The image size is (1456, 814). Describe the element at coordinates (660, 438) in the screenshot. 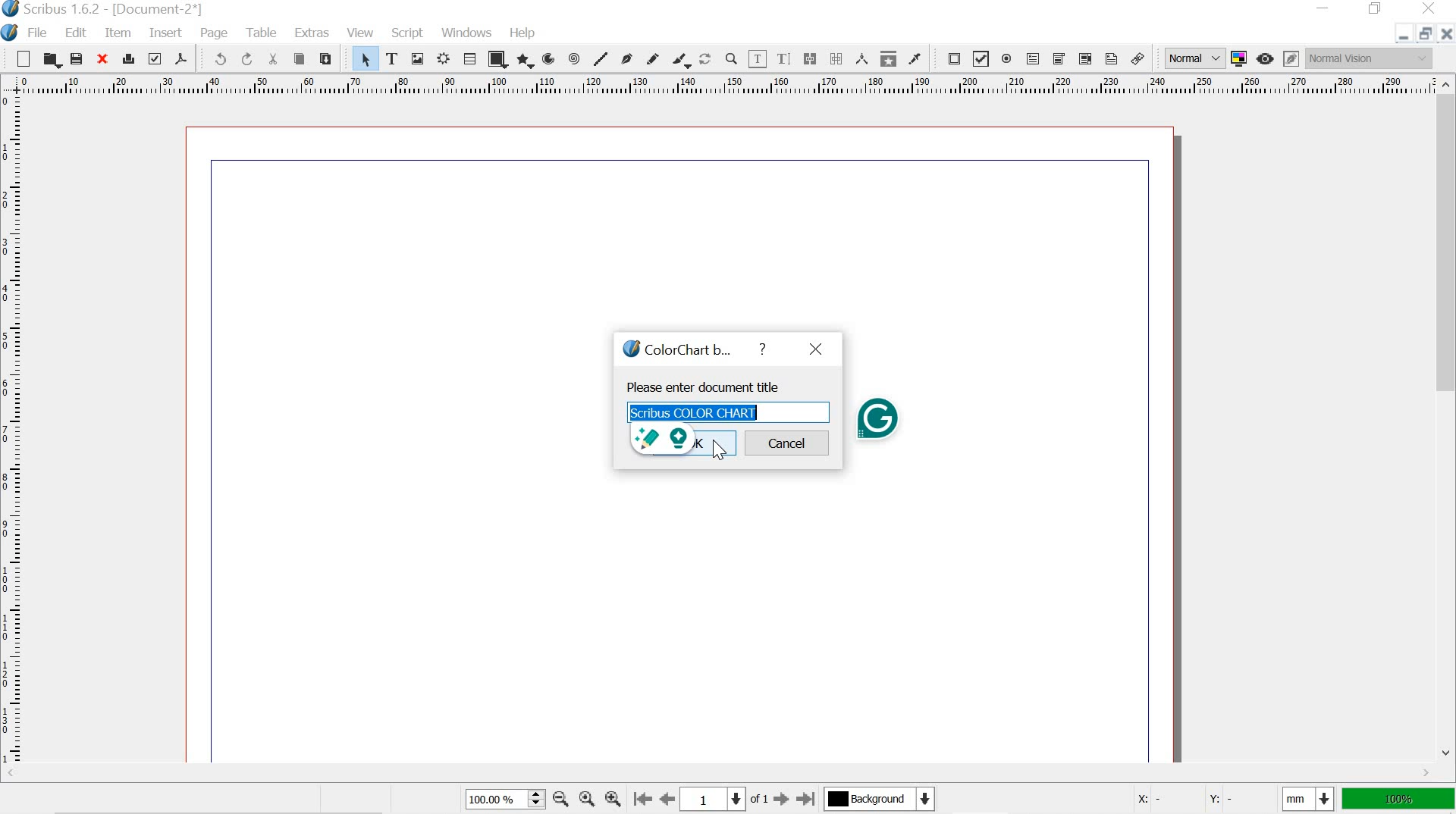

I see `grammerly popup` at that location.